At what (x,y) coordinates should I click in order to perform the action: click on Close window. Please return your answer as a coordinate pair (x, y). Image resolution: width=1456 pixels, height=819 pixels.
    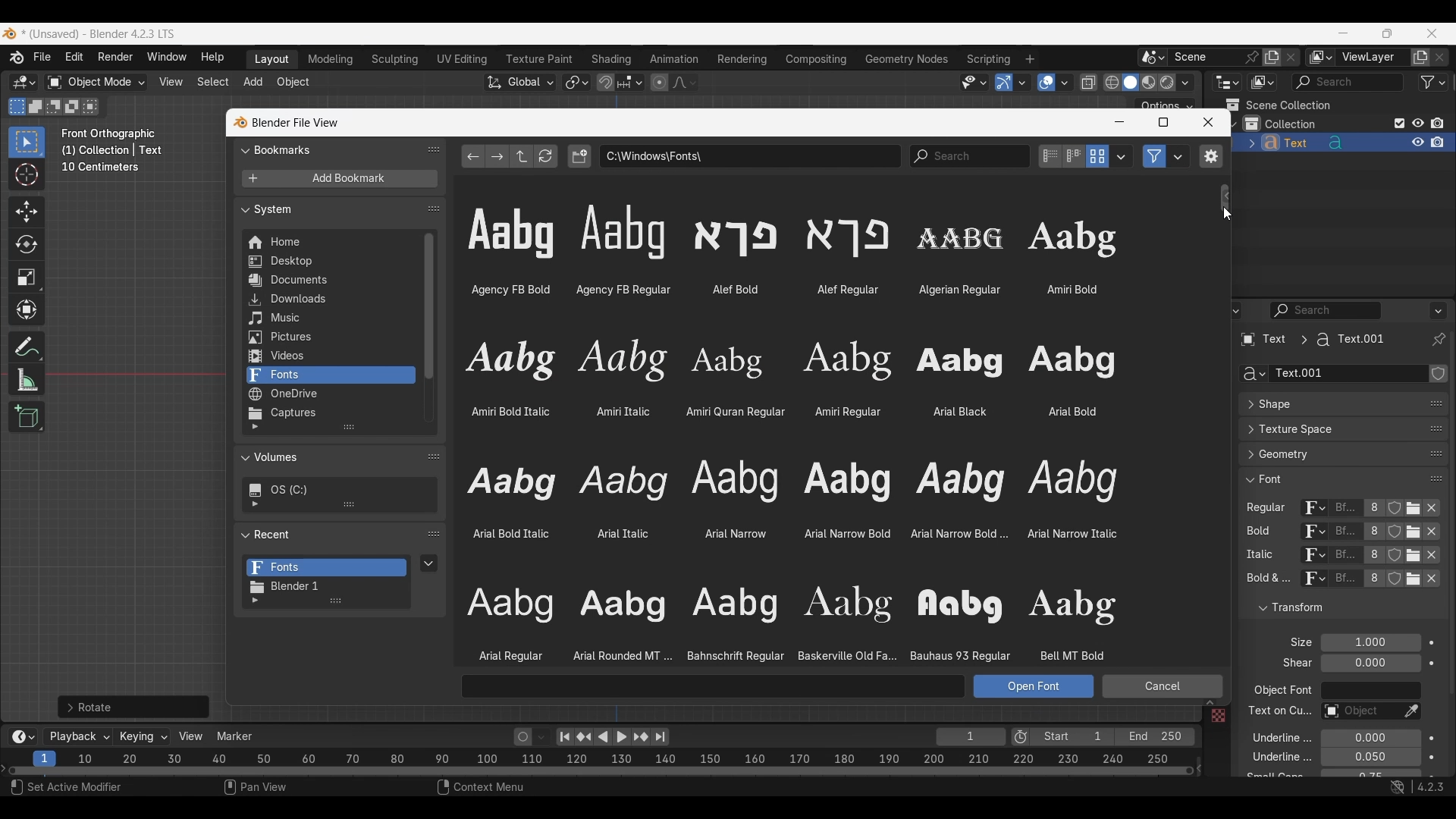
    Looking at the image, I should click on (1208, 122).